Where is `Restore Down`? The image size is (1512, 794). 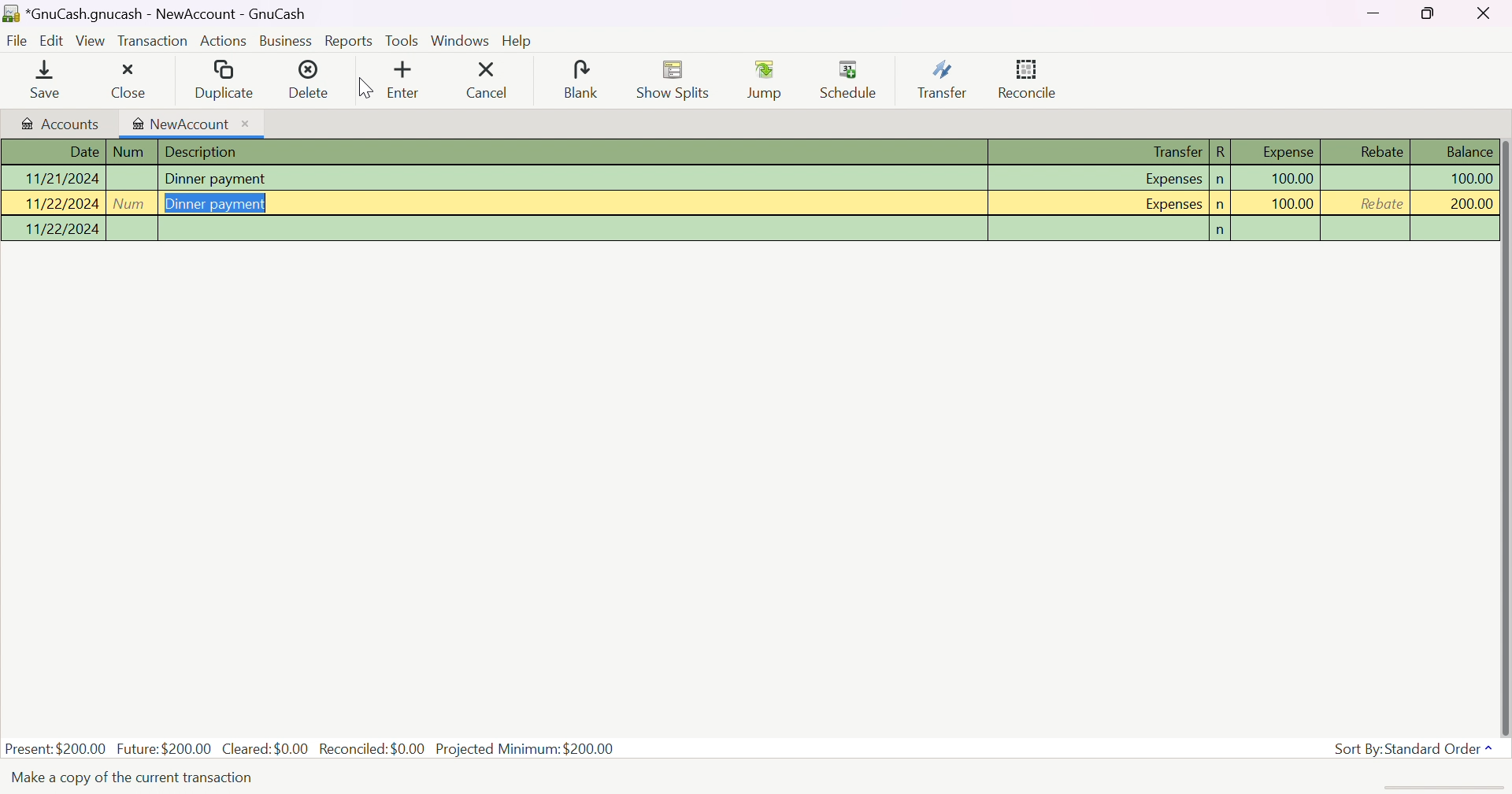 Restore Down is located at coordinates (1430, 13).